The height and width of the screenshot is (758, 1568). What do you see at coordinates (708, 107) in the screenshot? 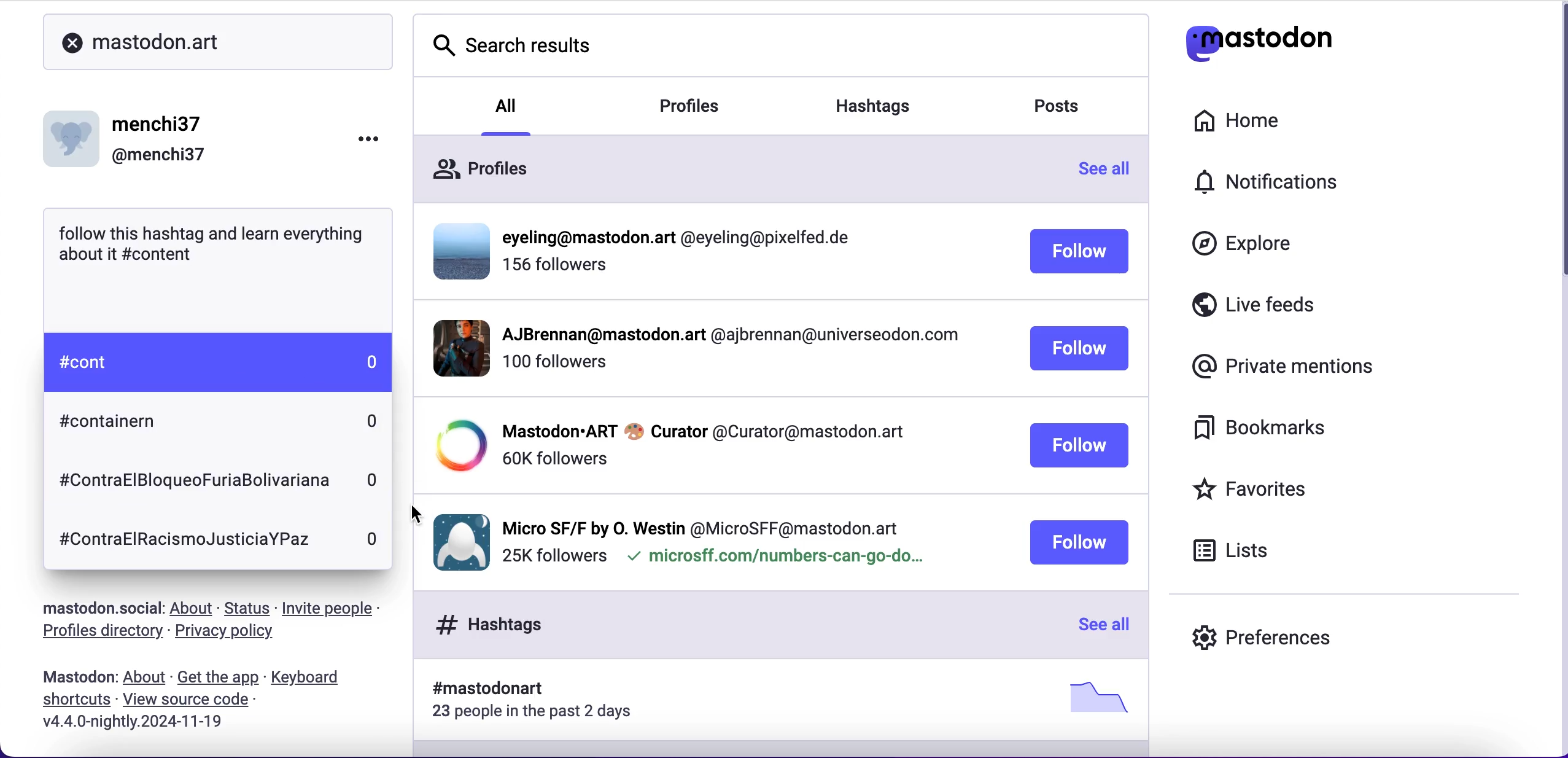
I see `profiles` at bounding box center [708, 107].